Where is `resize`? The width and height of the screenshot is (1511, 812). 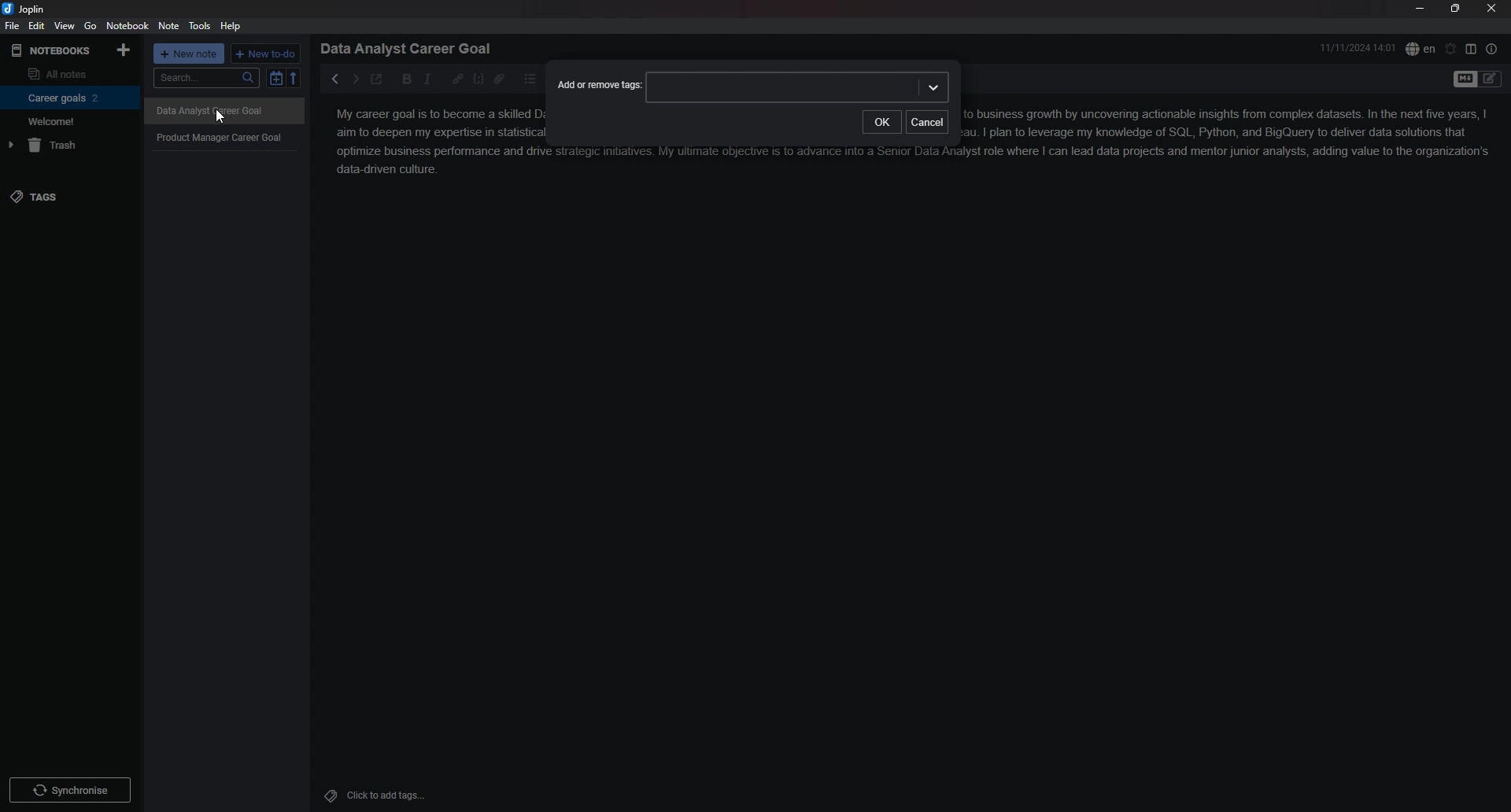 resize is located at coordinates (1456, 8).